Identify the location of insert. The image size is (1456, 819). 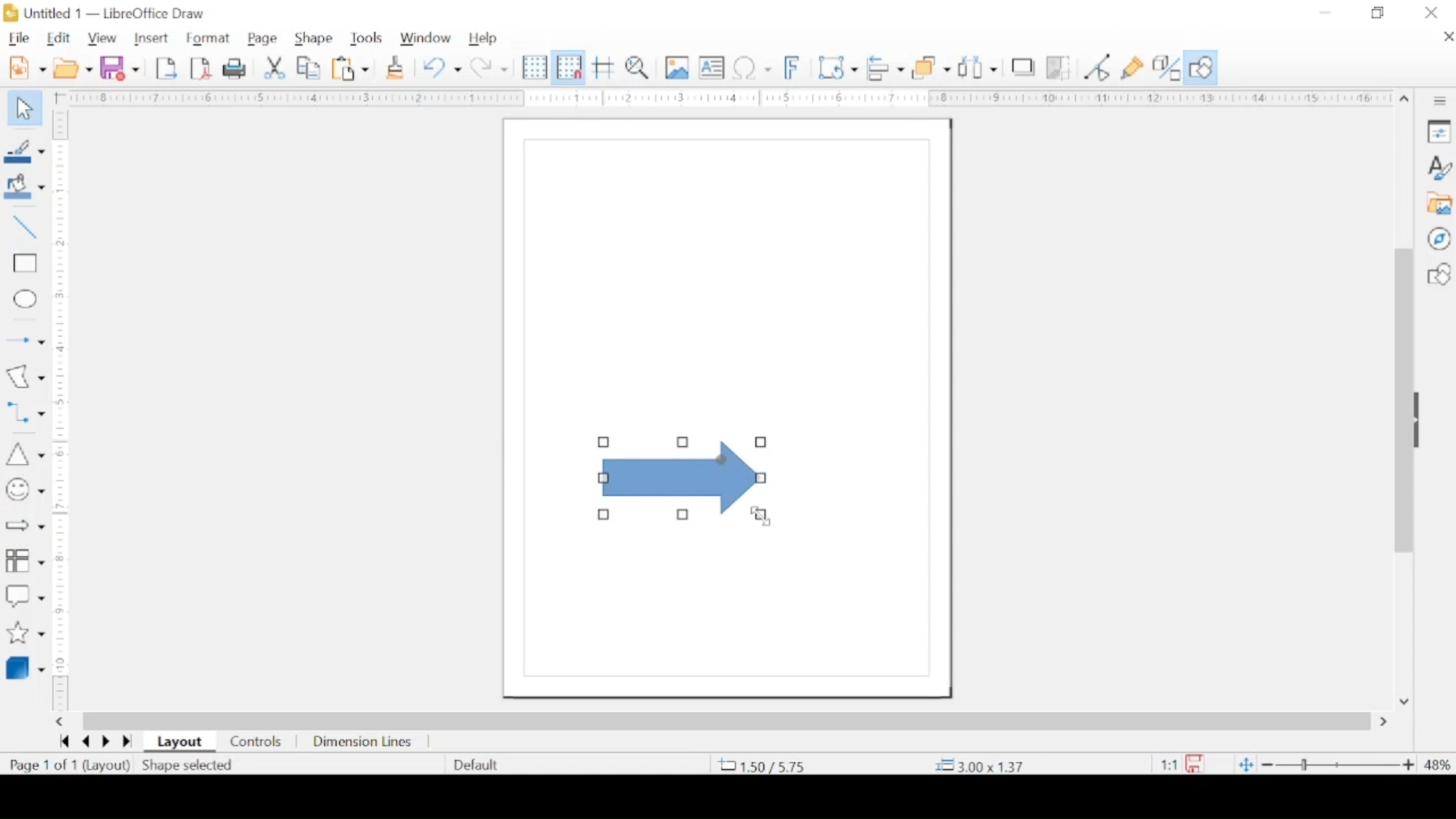
(151, 38).